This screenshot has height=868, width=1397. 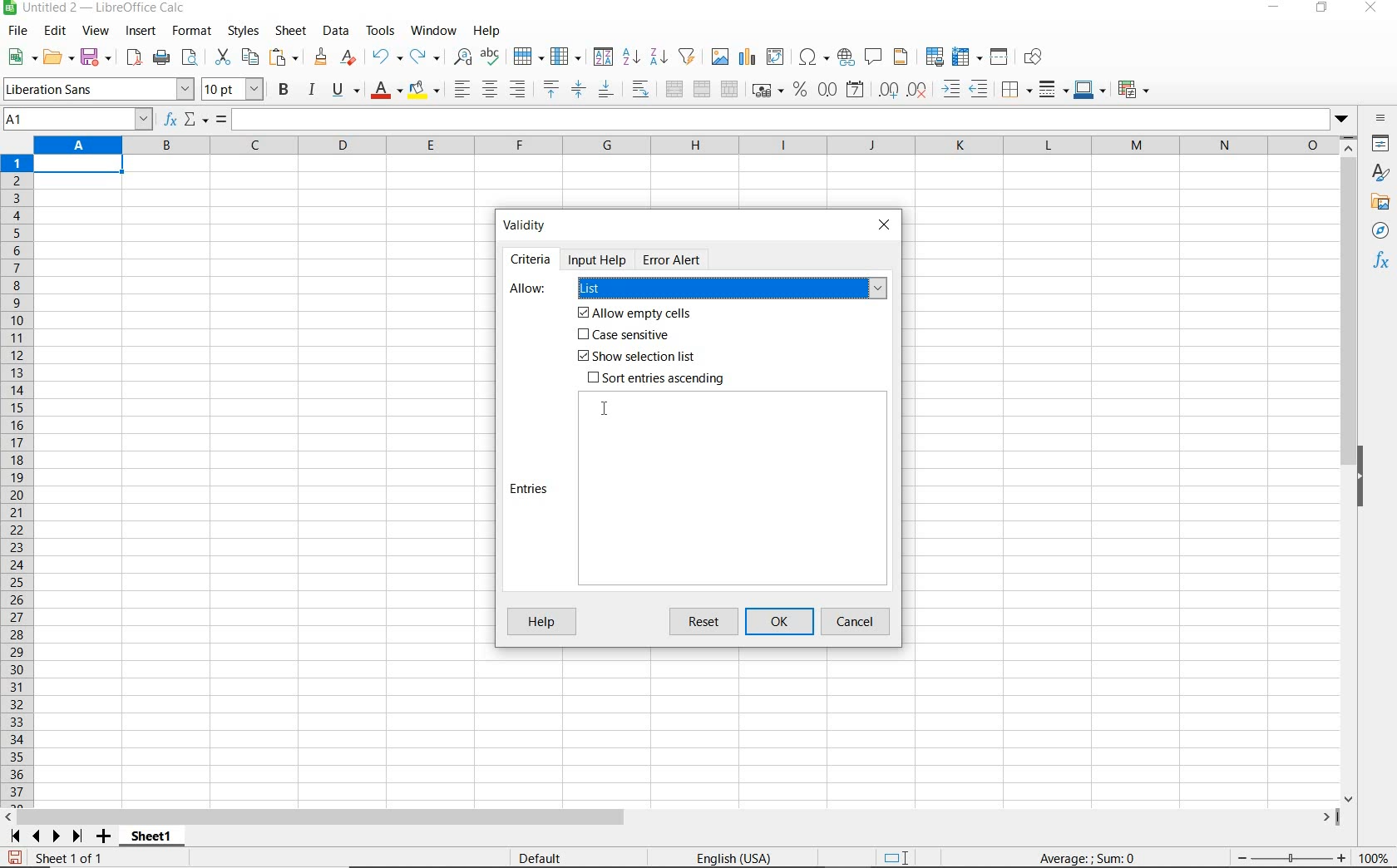 What do you see at coordinates (643, 88) in the screenshot?
I see `wrap text` at bounding box center [643, 88].